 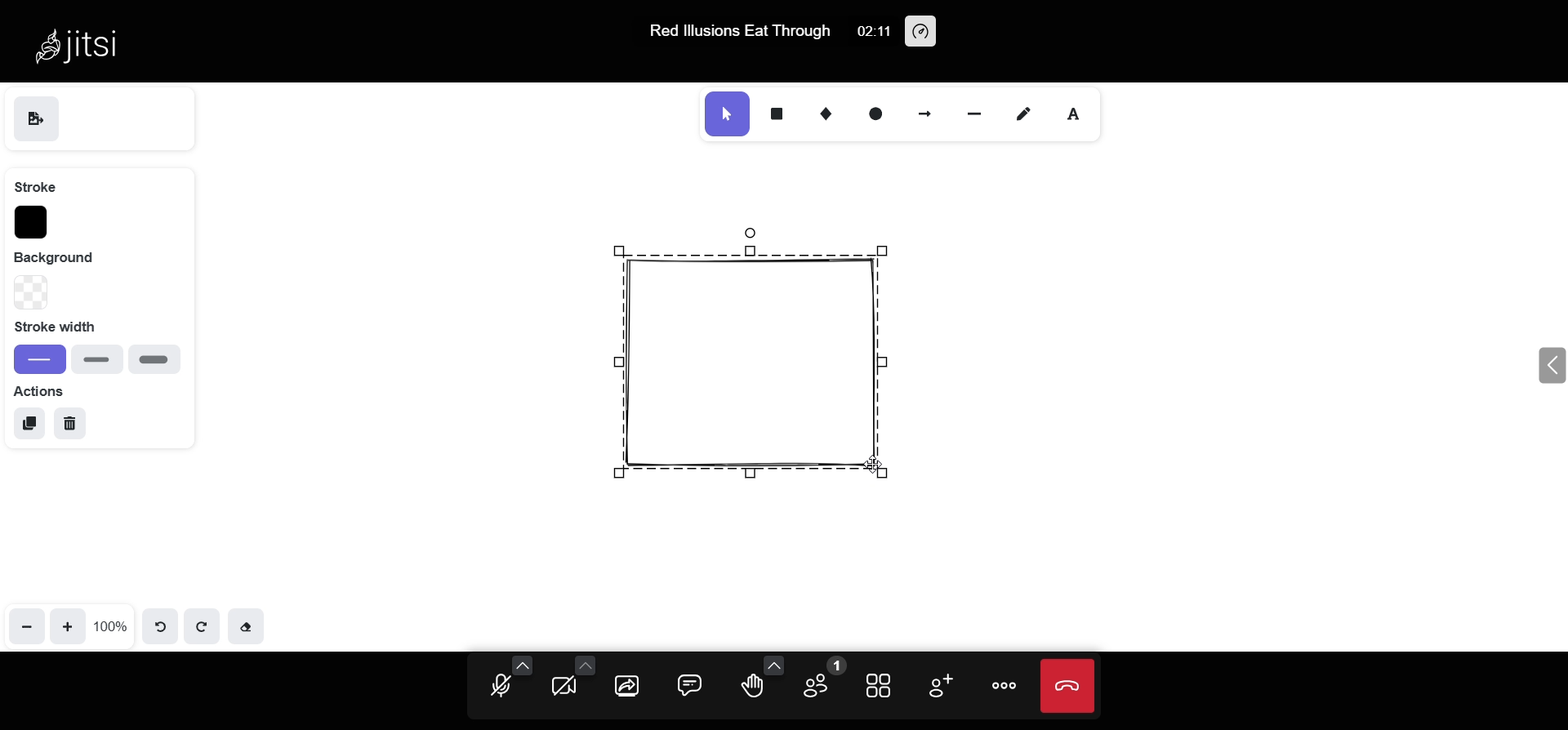 I want to click on Red lllusions Eat Through, so click(x=730, y=31).